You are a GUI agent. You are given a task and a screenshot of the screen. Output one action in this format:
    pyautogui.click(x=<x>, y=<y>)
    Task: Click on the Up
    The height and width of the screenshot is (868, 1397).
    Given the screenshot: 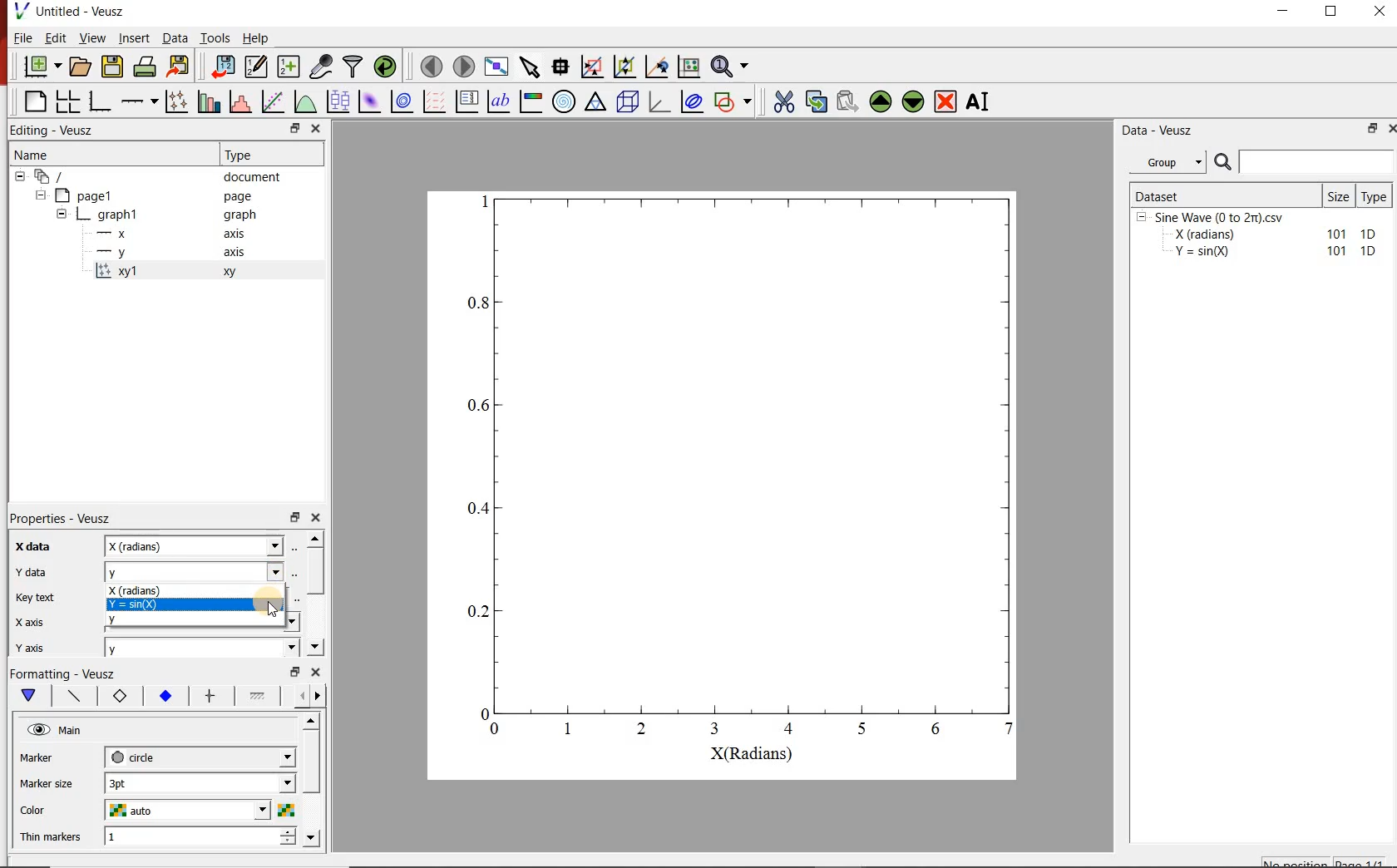 What is the action you would take?
    pyautogui.click(x=315, y=538)
    